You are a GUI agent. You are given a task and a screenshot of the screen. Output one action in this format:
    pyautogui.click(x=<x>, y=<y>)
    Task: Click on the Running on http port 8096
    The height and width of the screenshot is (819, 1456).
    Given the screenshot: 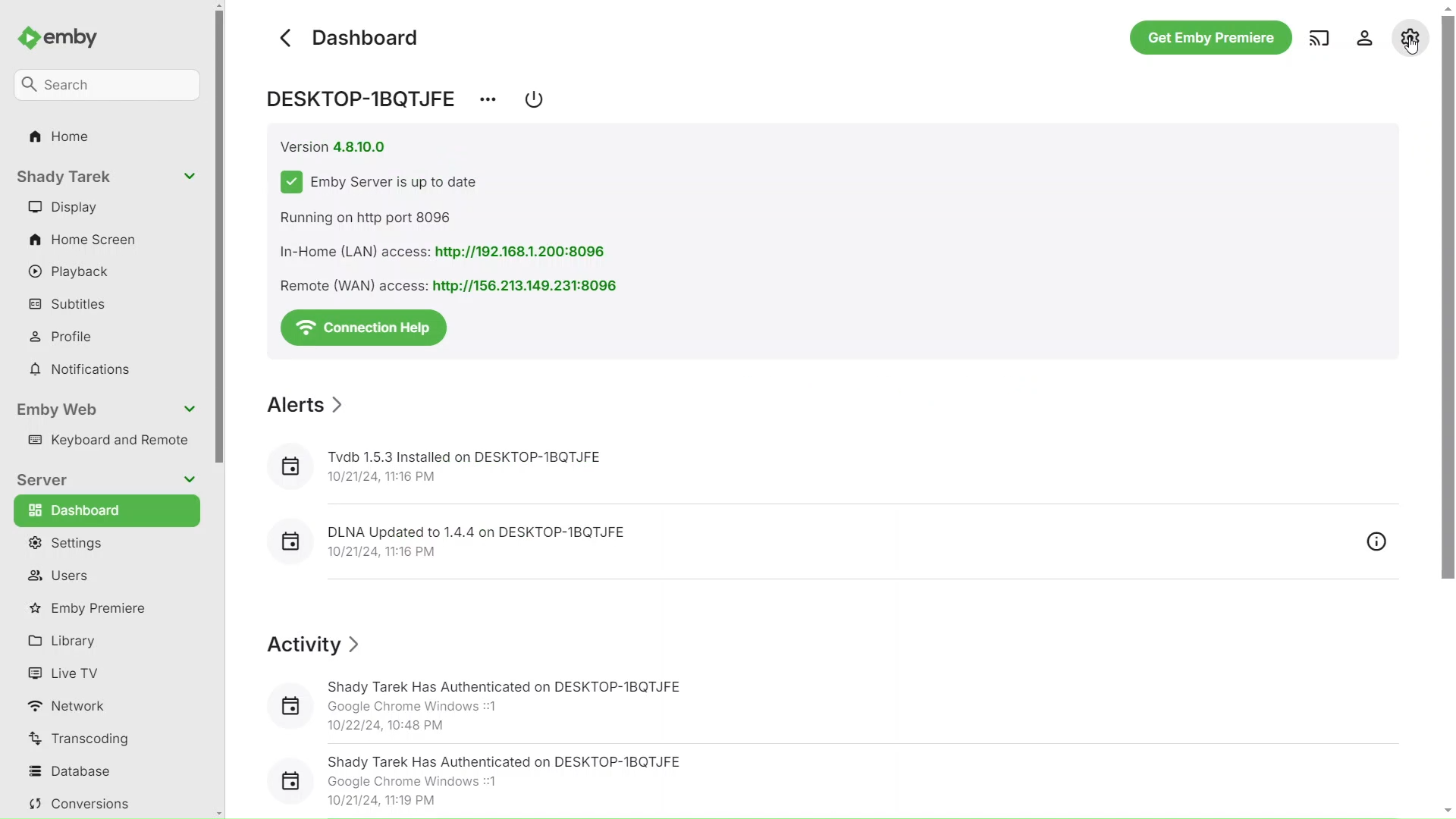 What is the action you would take?
    pyautogui.click(x=372, y=215)
    